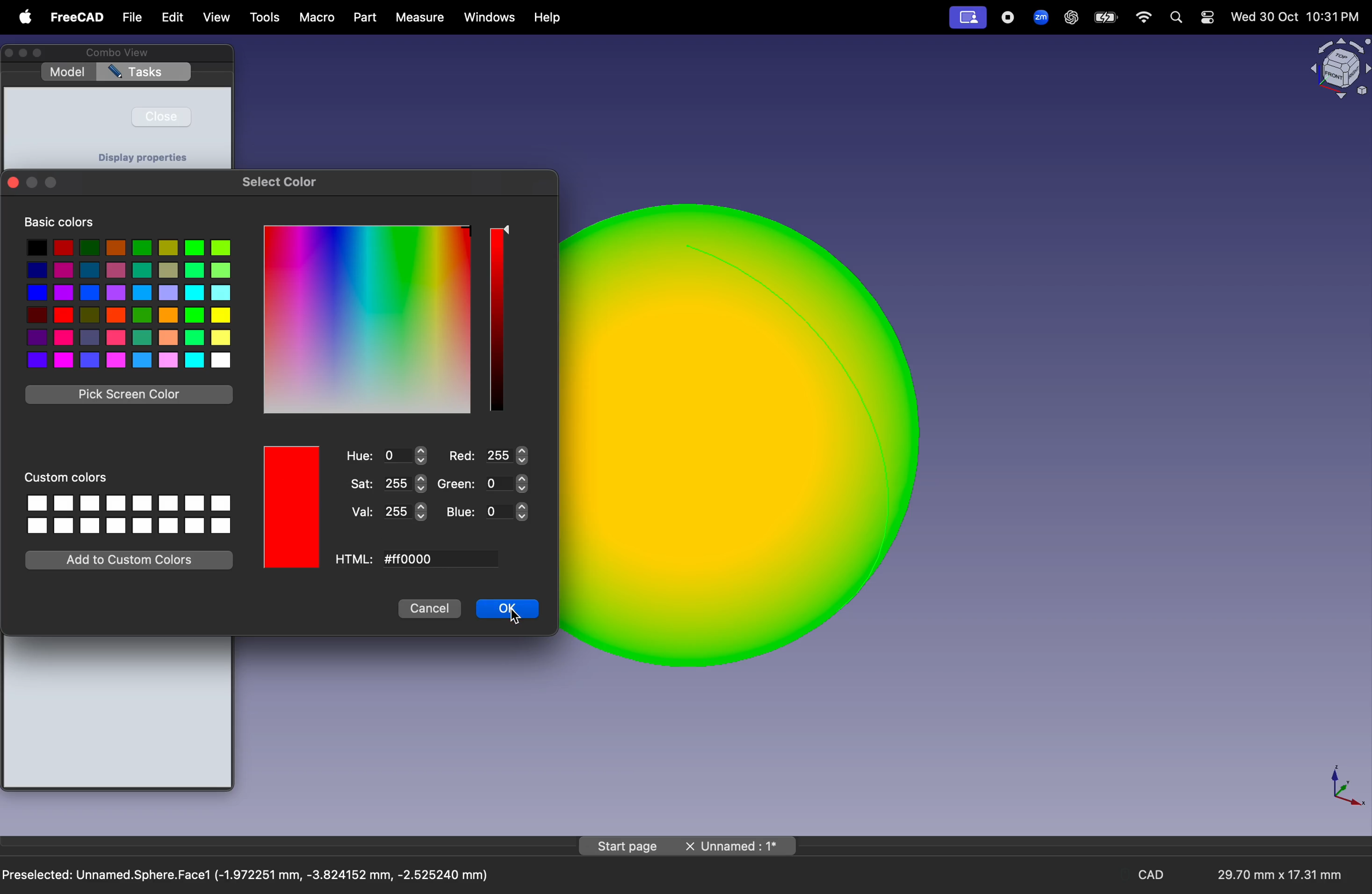  Describe the element at coordinates (281, 181) in the screenshot. I see `select color` at that location.